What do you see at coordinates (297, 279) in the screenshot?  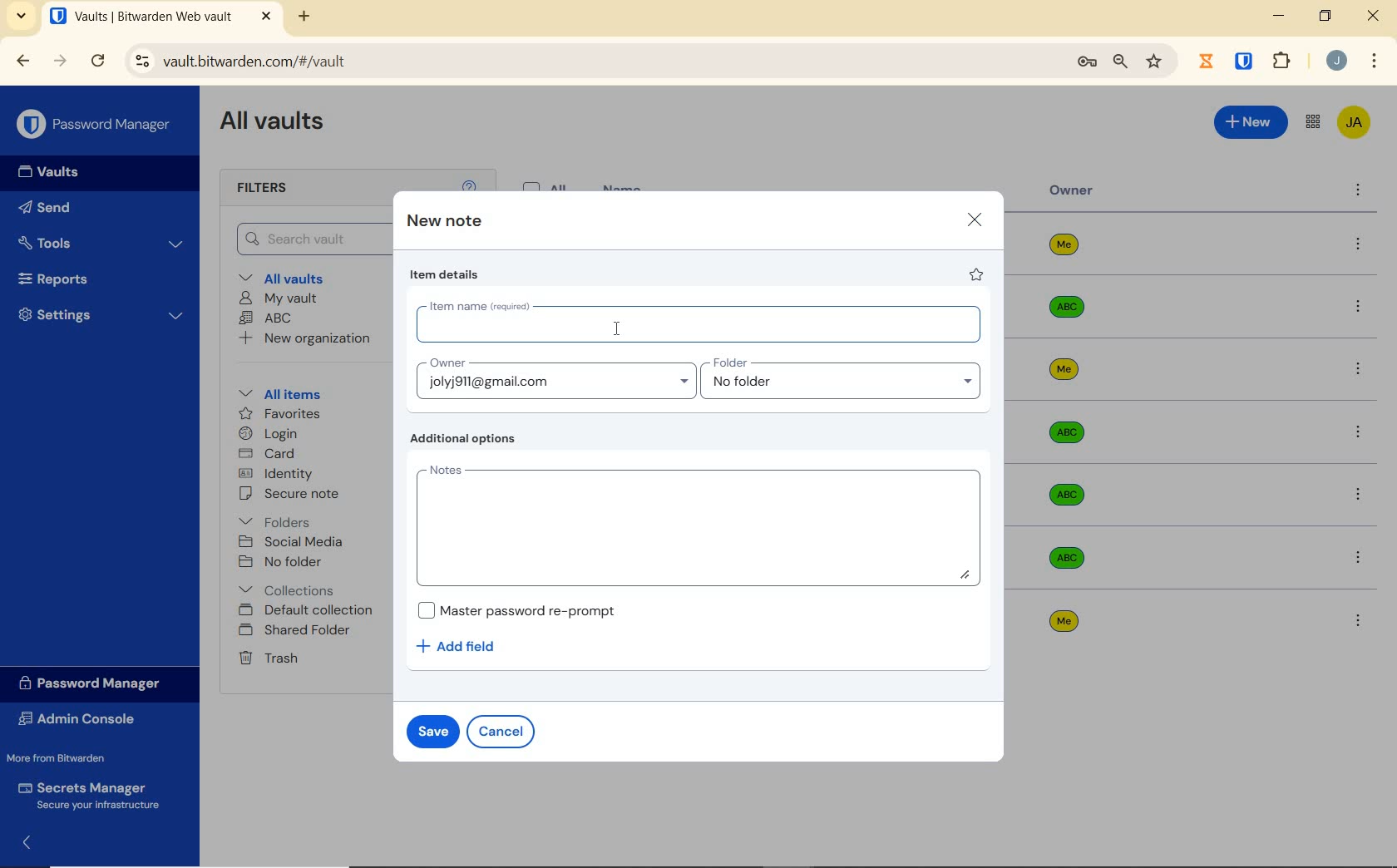 I see `All vaults` at bounding box center [297, 279].